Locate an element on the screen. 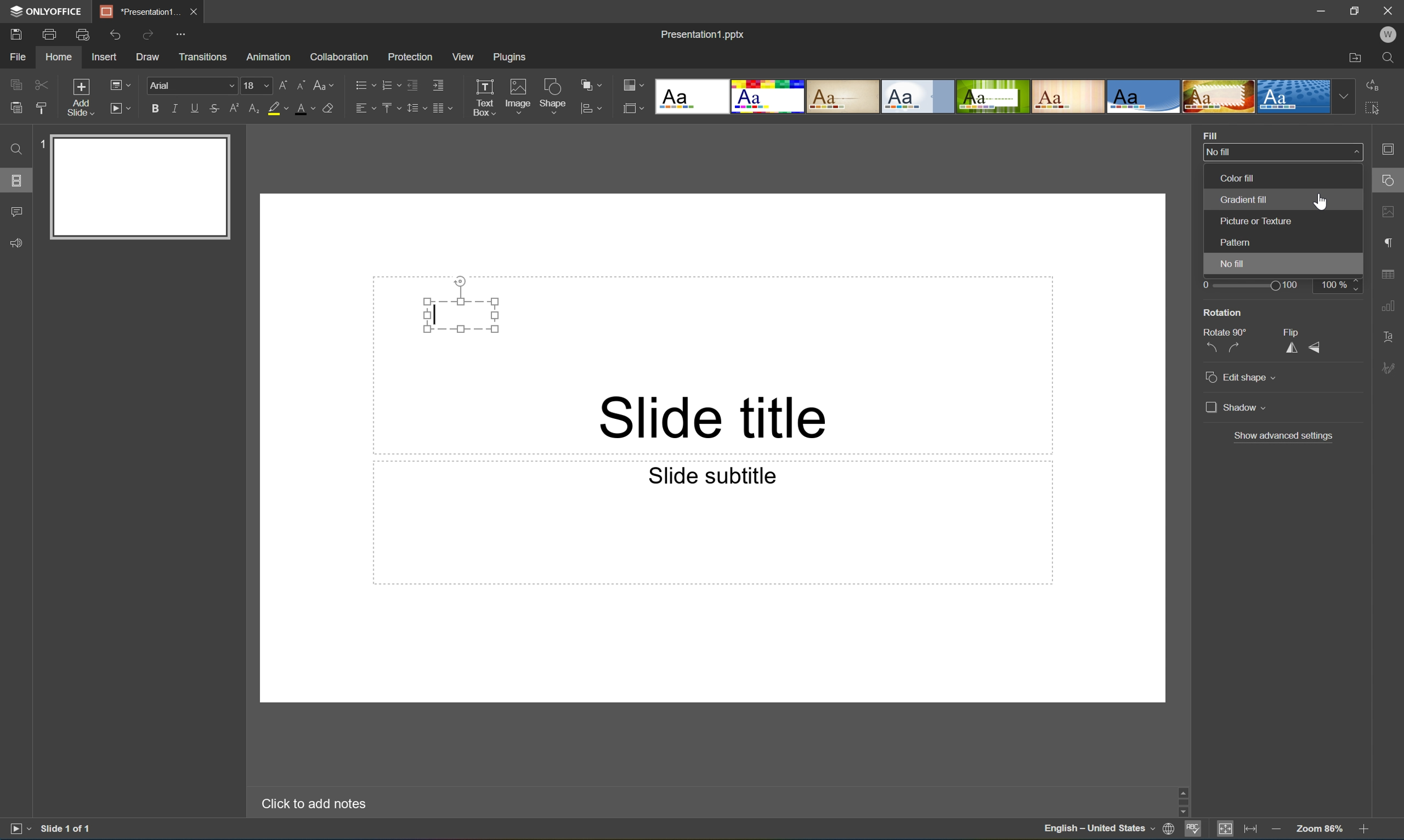  Scroll Bar is located at coordinates (1361, 799).